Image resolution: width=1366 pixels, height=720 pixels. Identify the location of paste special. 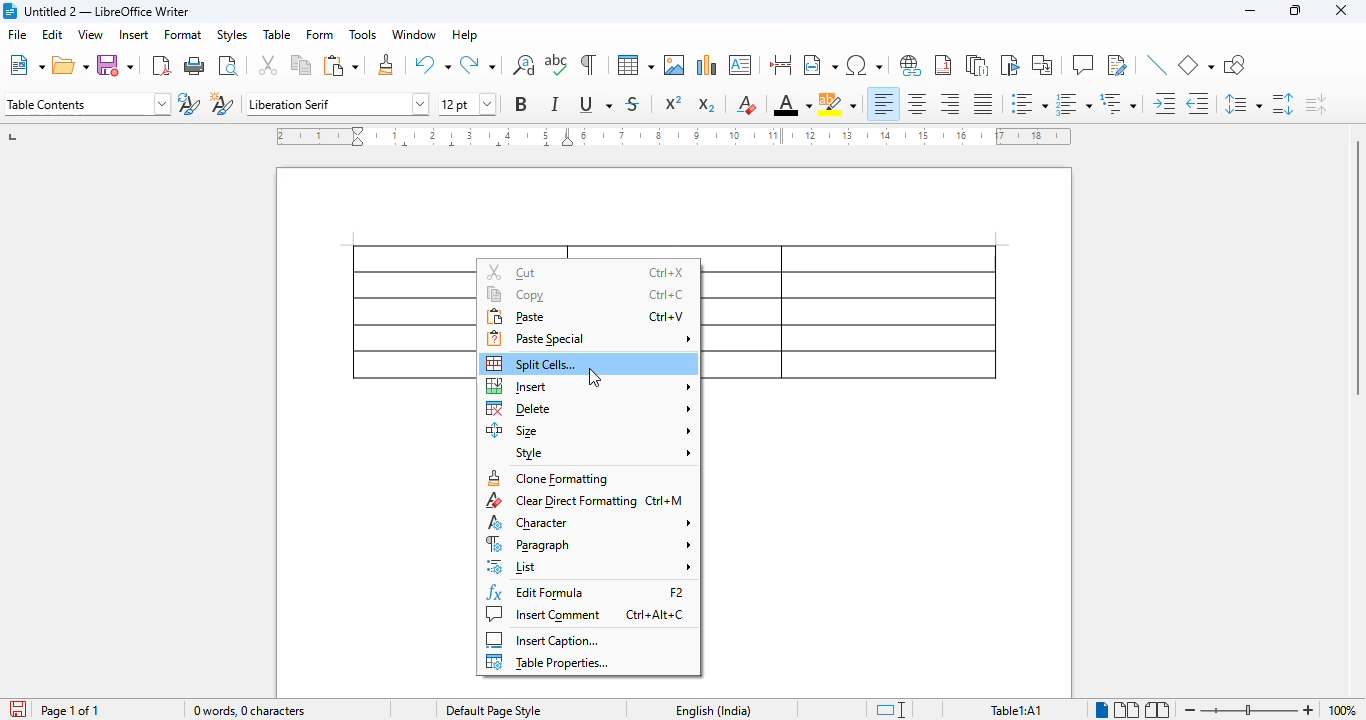
(589, 338).